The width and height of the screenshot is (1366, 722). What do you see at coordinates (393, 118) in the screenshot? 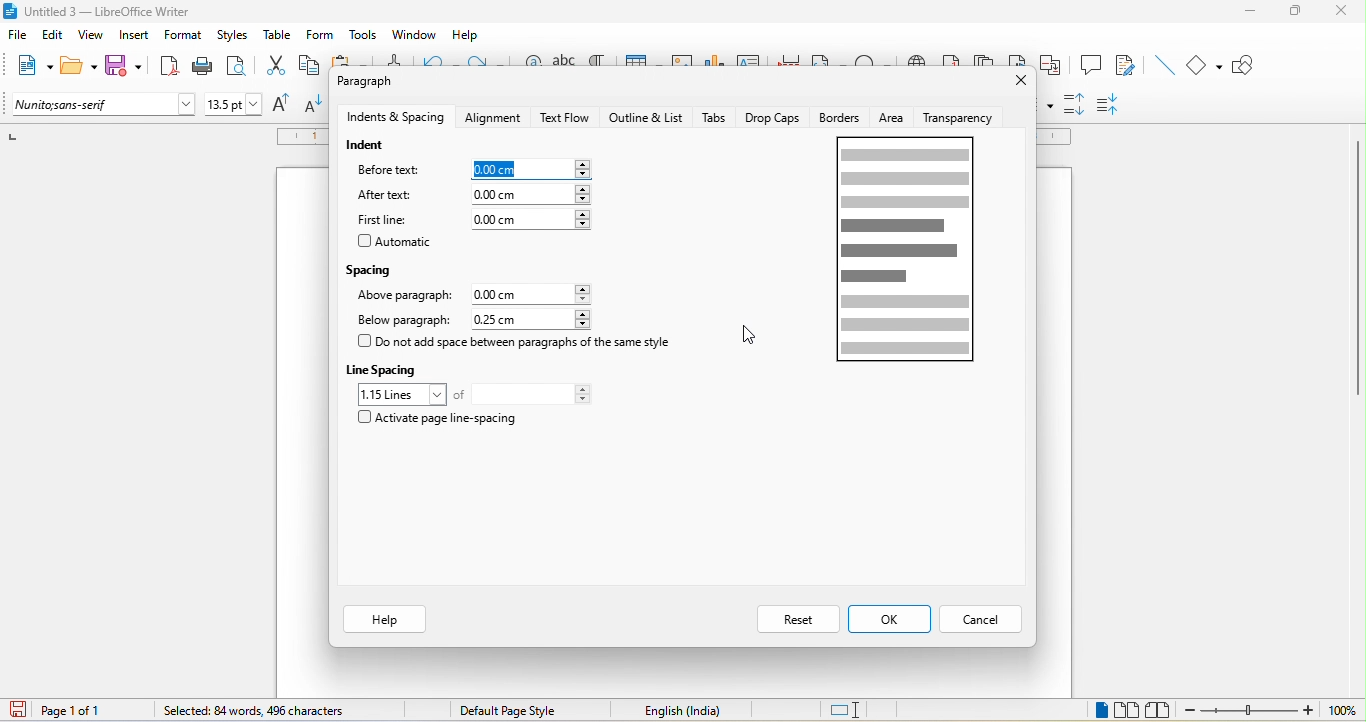
I see `indents and spacing` at bounding box center [393, 118].